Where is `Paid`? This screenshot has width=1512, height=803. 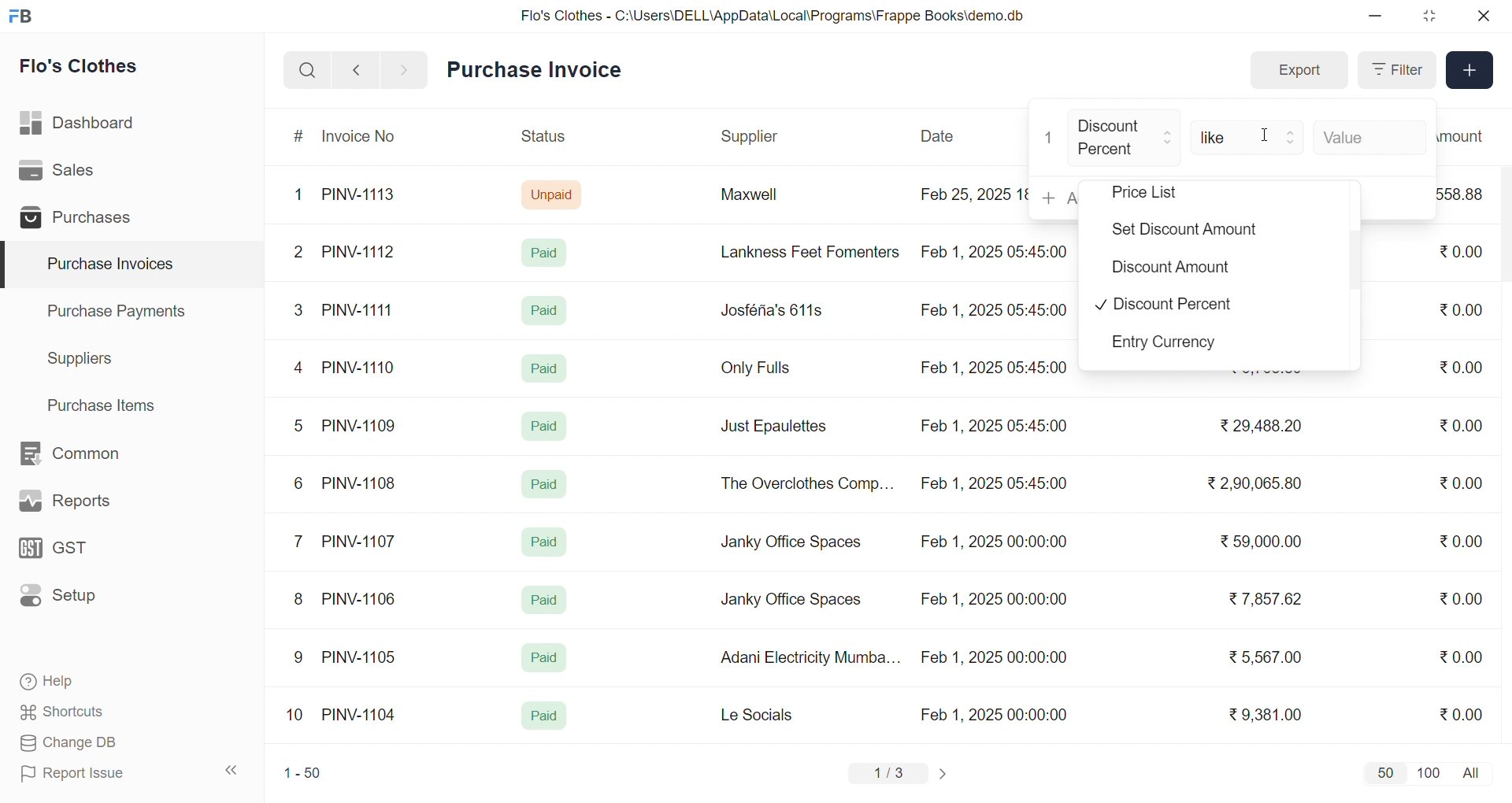 Paid is located at coordinates (543, 367).